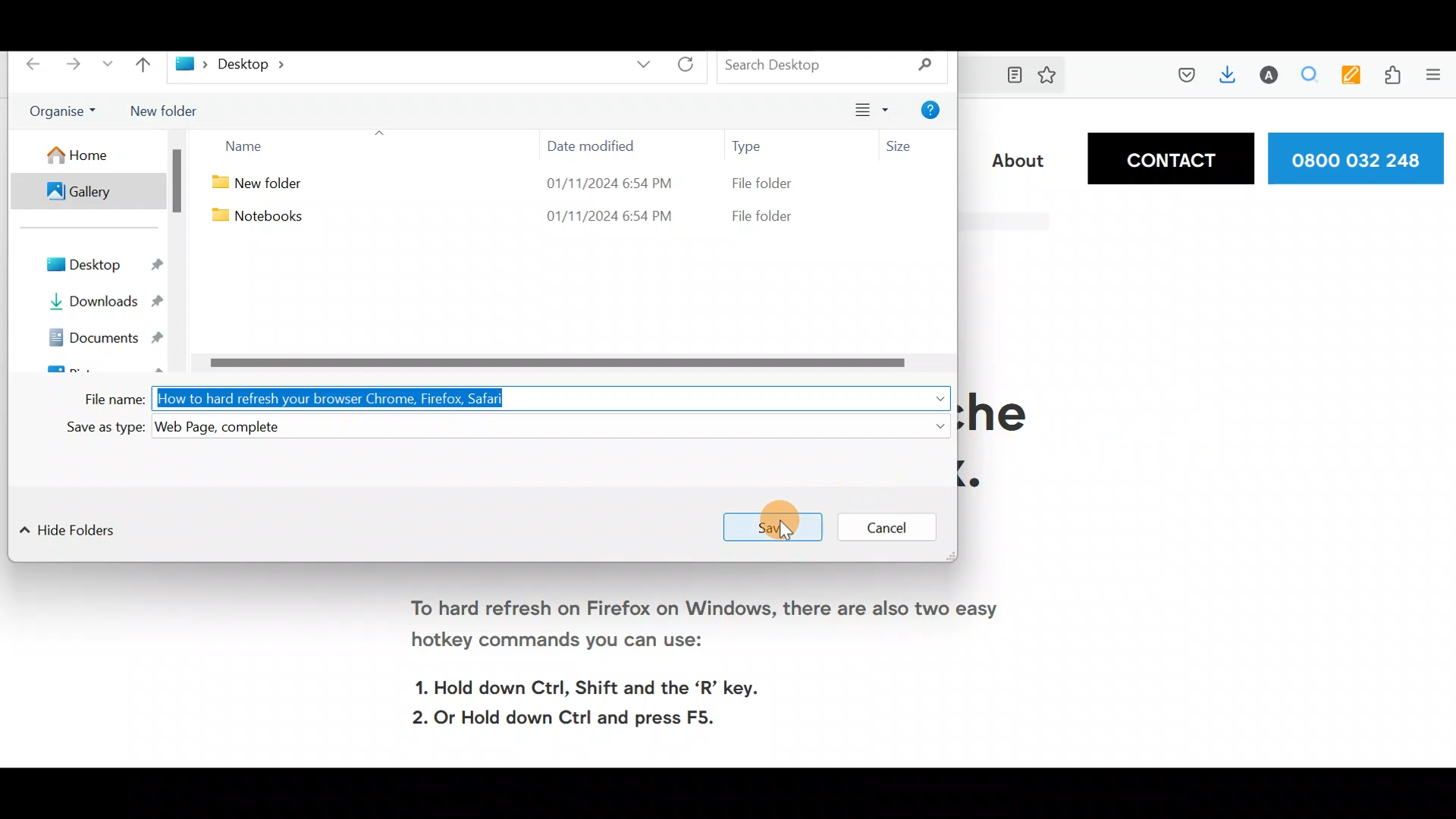 The height and width of the screenshot is (819, 1456). I want to click on Desktop, so click(111, 266).